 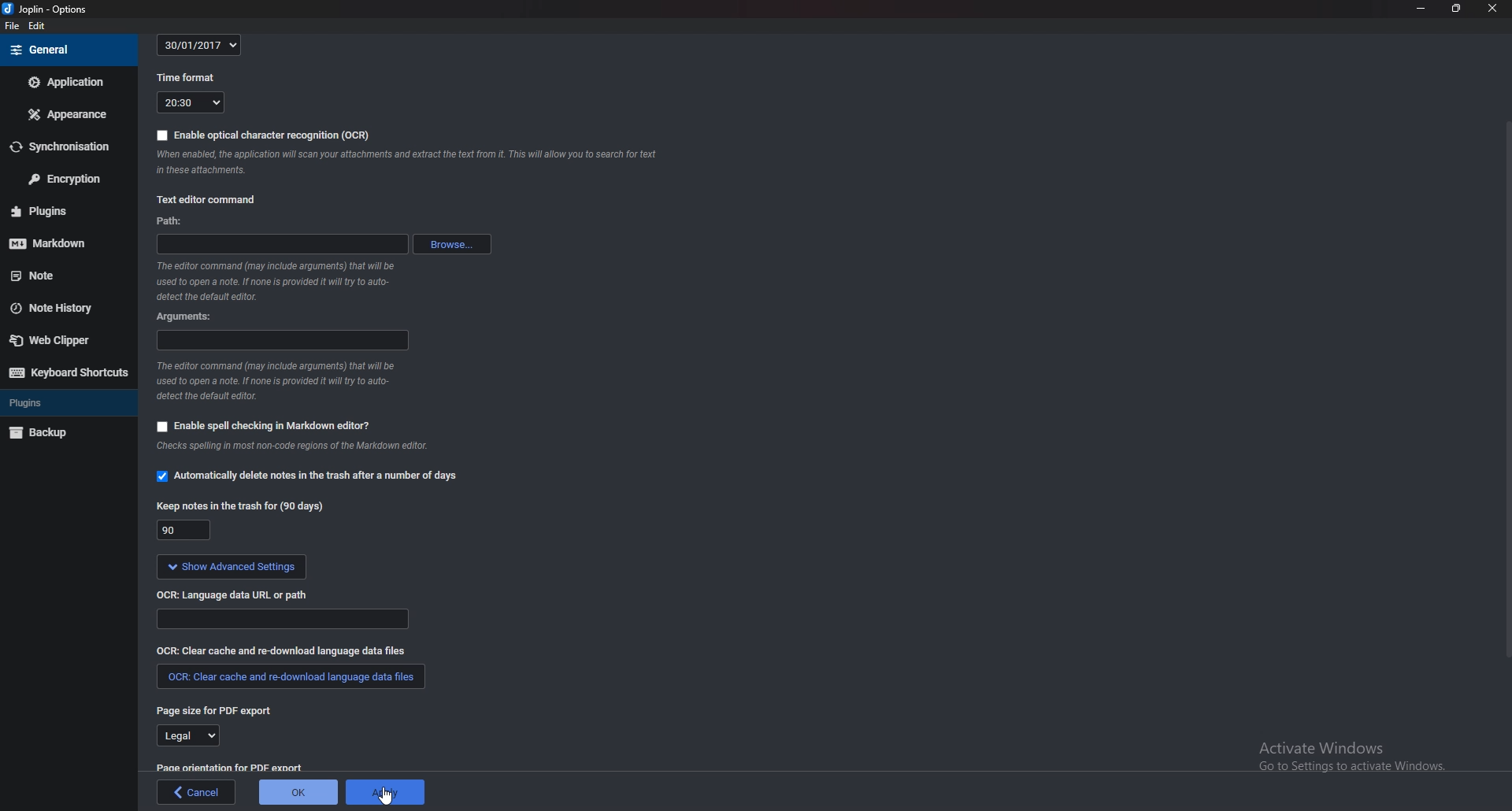 What do you see at coordinates (1421, 9) in the screenshot?
I see `Minimize` at bounding box center [1421, 9].